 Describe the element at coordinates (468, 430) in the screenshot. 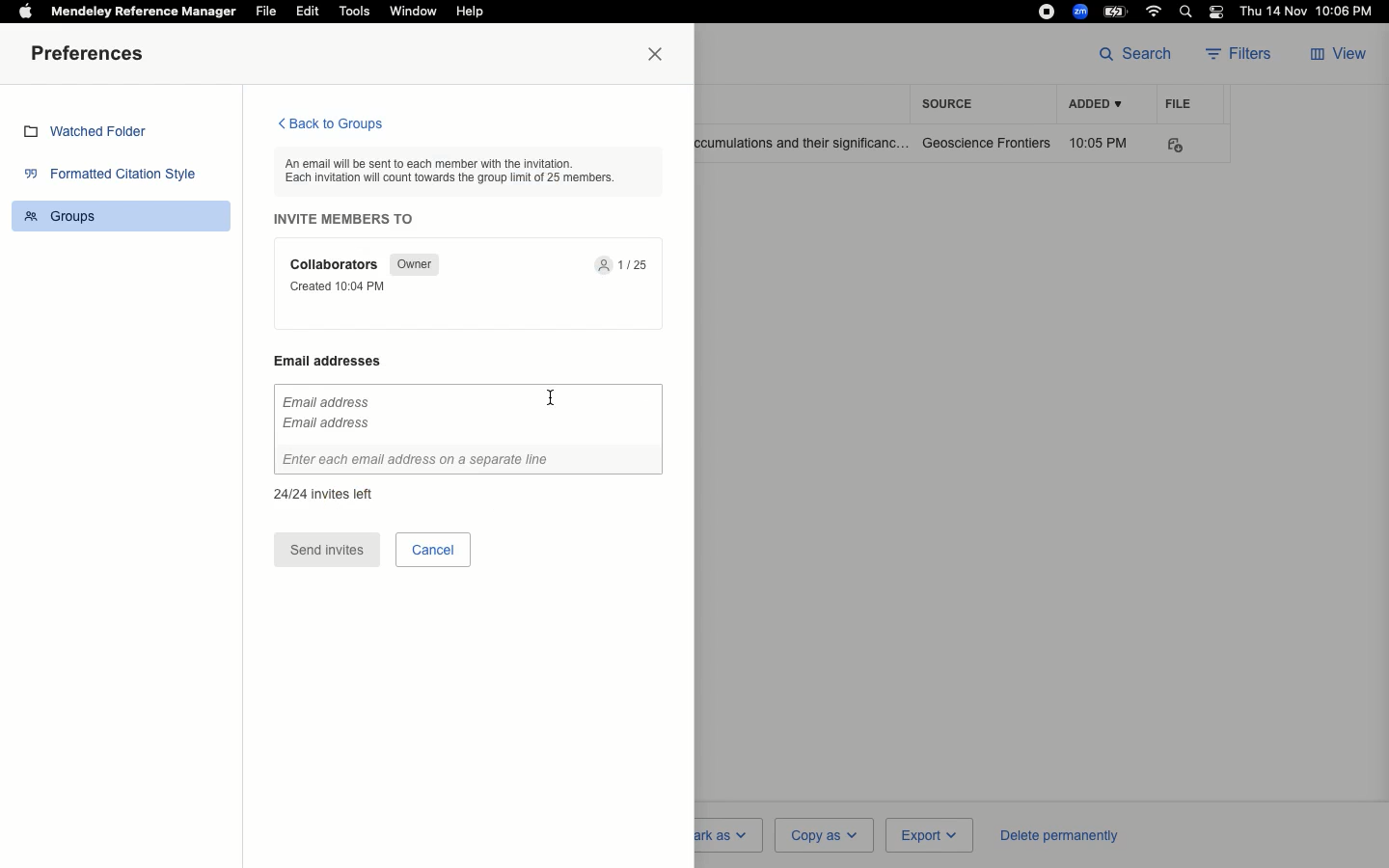

I see `Email address text box` at that location.